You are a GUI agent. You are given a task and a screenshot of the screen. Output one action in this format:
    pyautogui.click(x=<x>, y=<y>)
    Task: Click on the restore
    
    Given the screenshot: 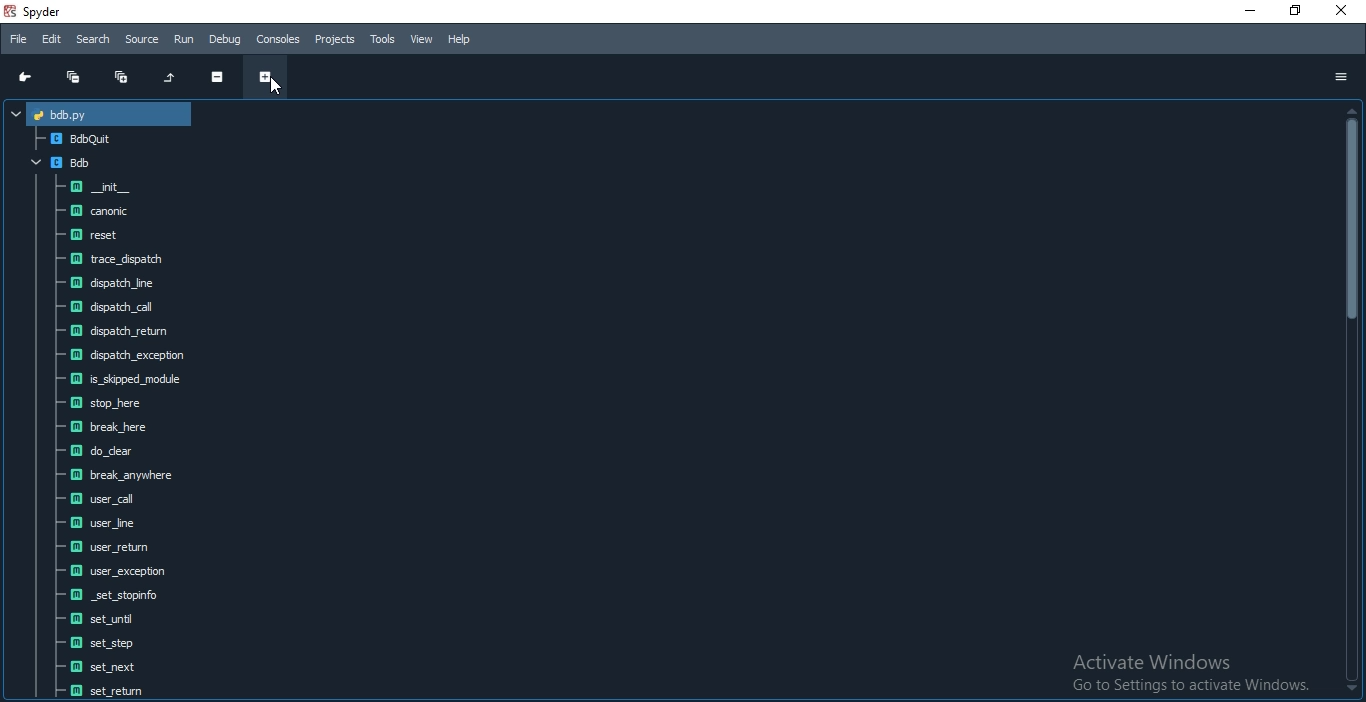 What is the action you would take?
    pyautogui.click(x=1291, y=14)
    